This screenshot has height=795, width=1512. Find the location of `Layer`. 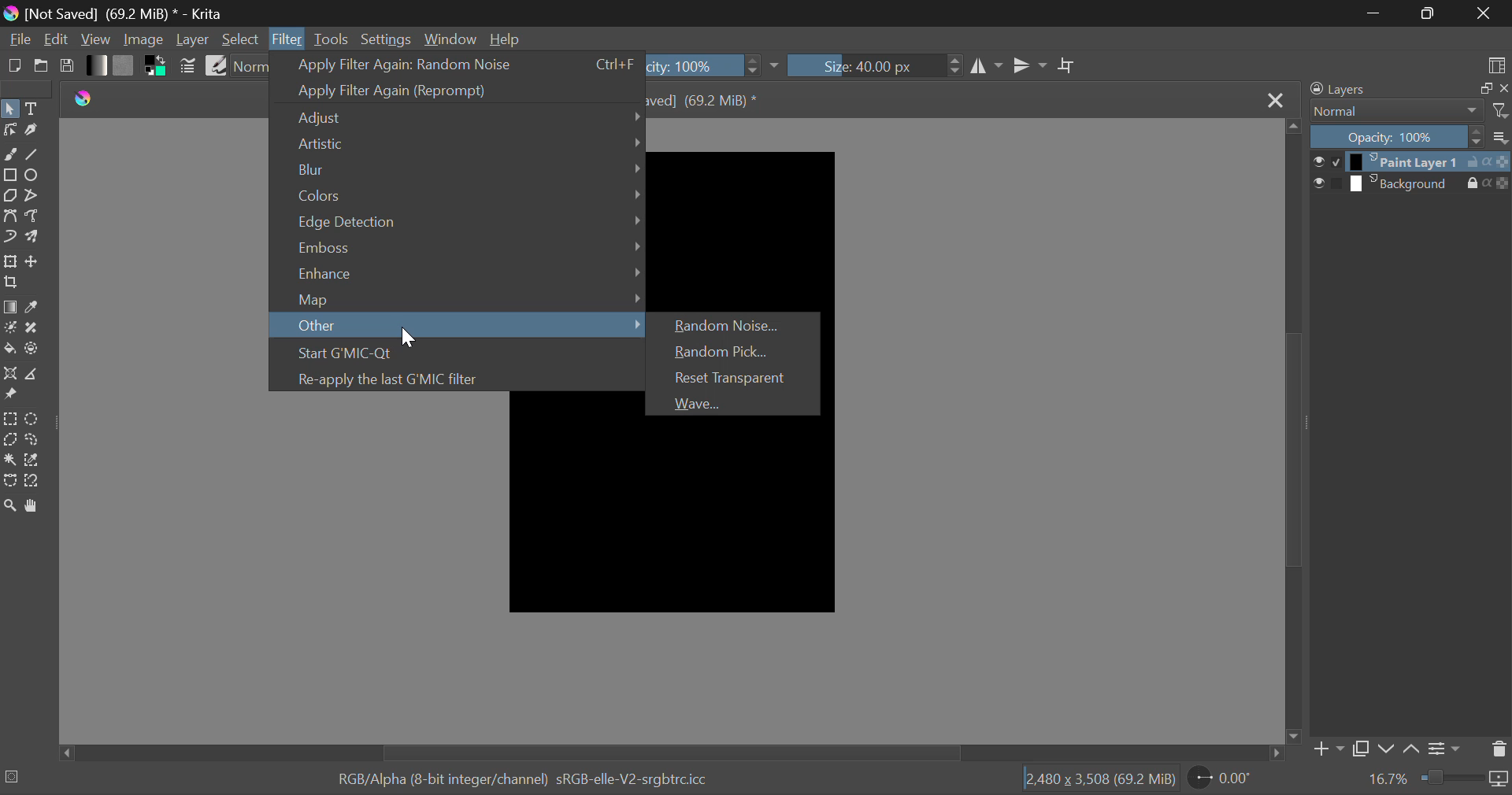

Layer is located at coordinates (193, 40).